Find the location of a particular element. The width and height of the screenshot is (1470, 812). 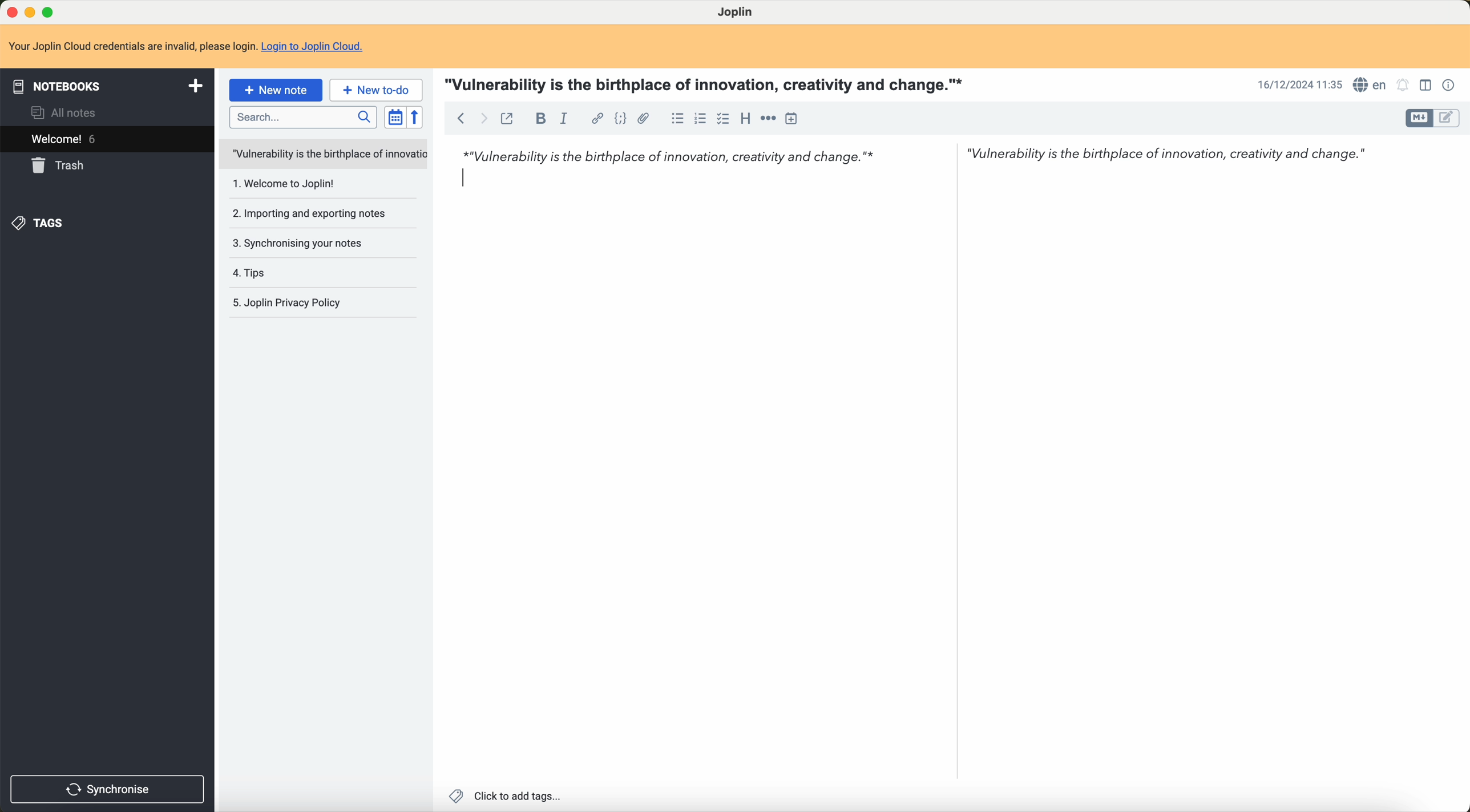

close program is located at coordinates (10, 10).